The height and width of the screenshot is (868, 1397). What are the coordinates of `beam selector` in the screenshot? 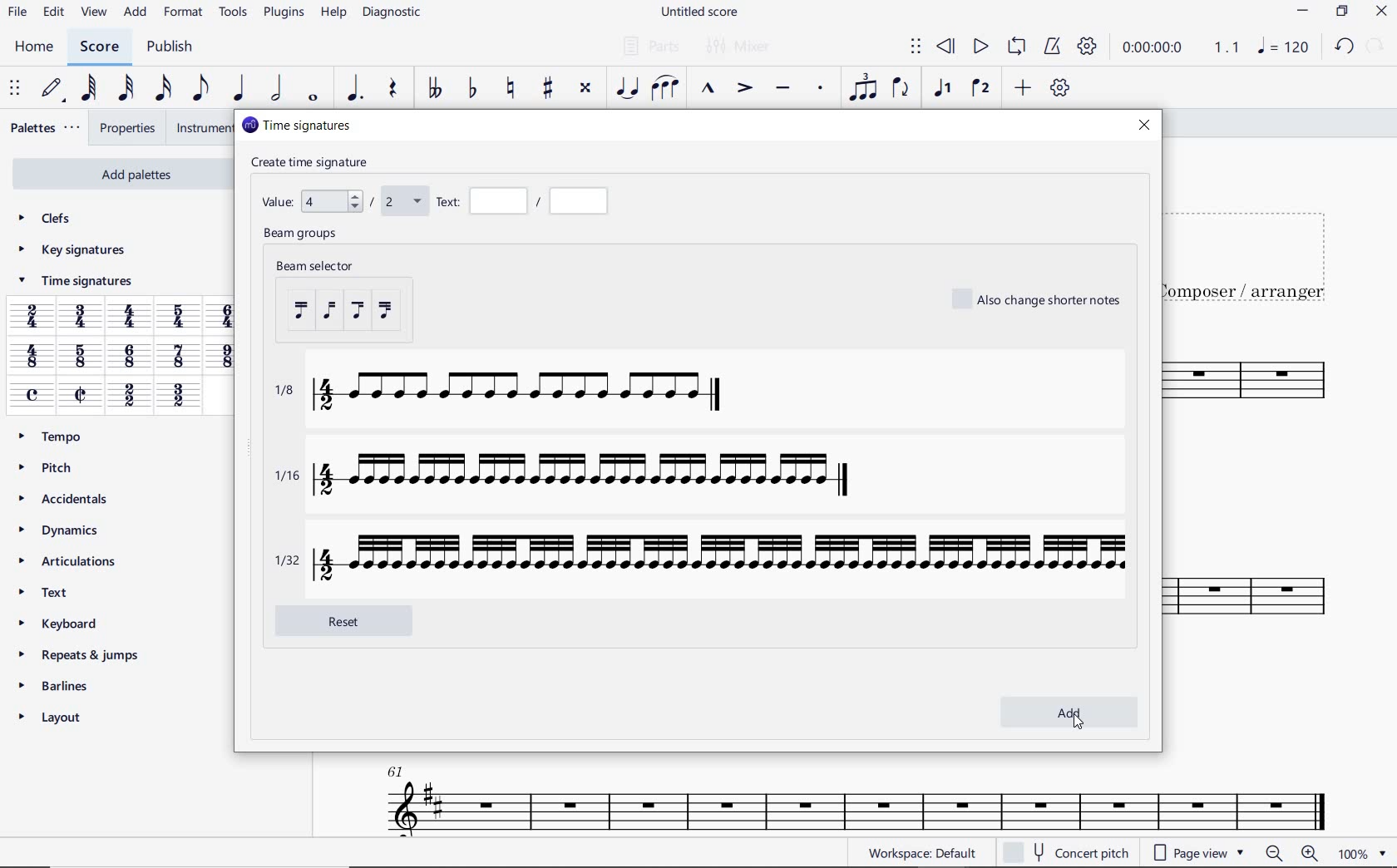 It's located at (373, 300).